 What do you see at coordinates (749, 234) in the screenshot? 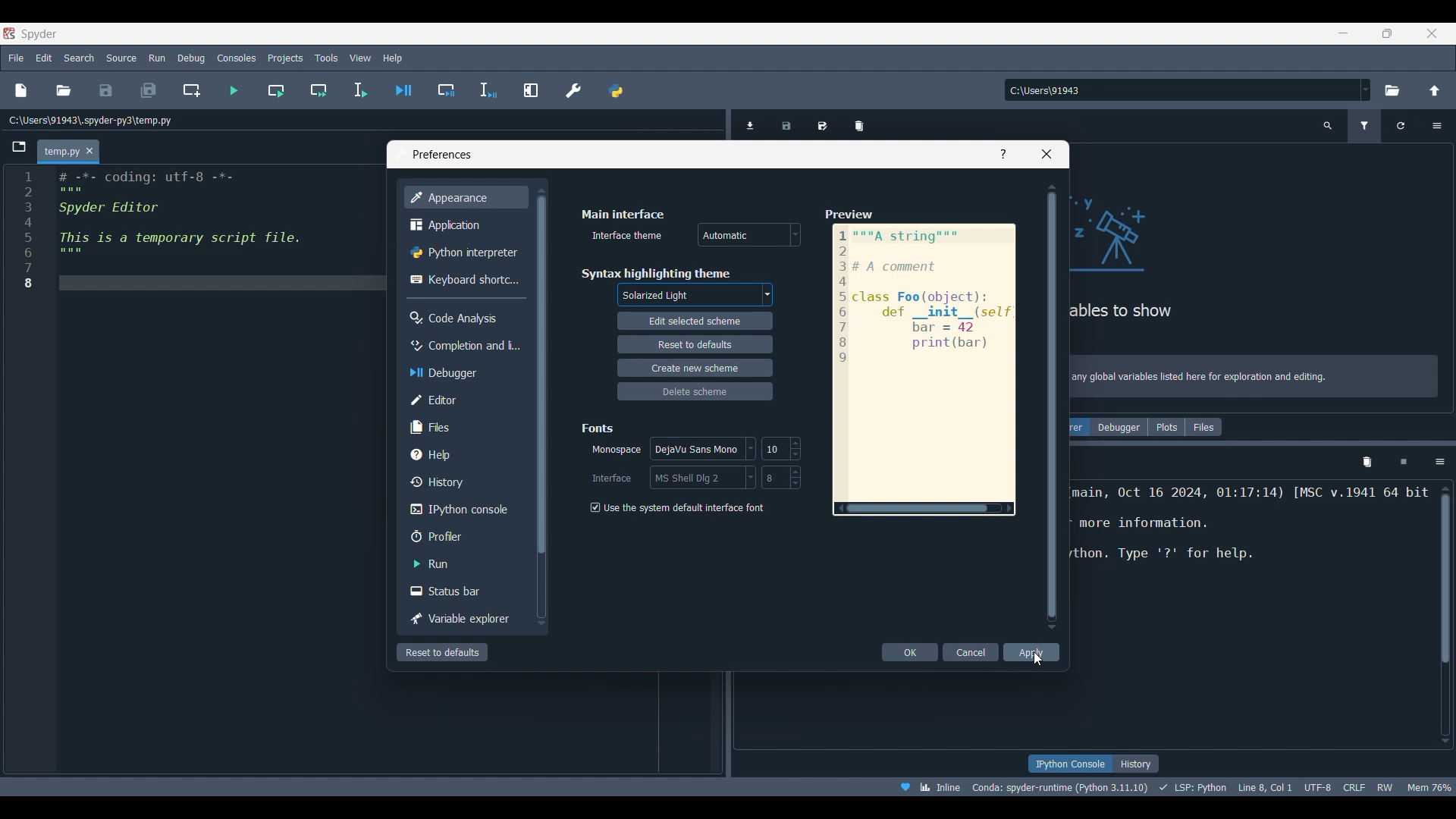
I see `Interface theme options` at bounding box center [749, 234].